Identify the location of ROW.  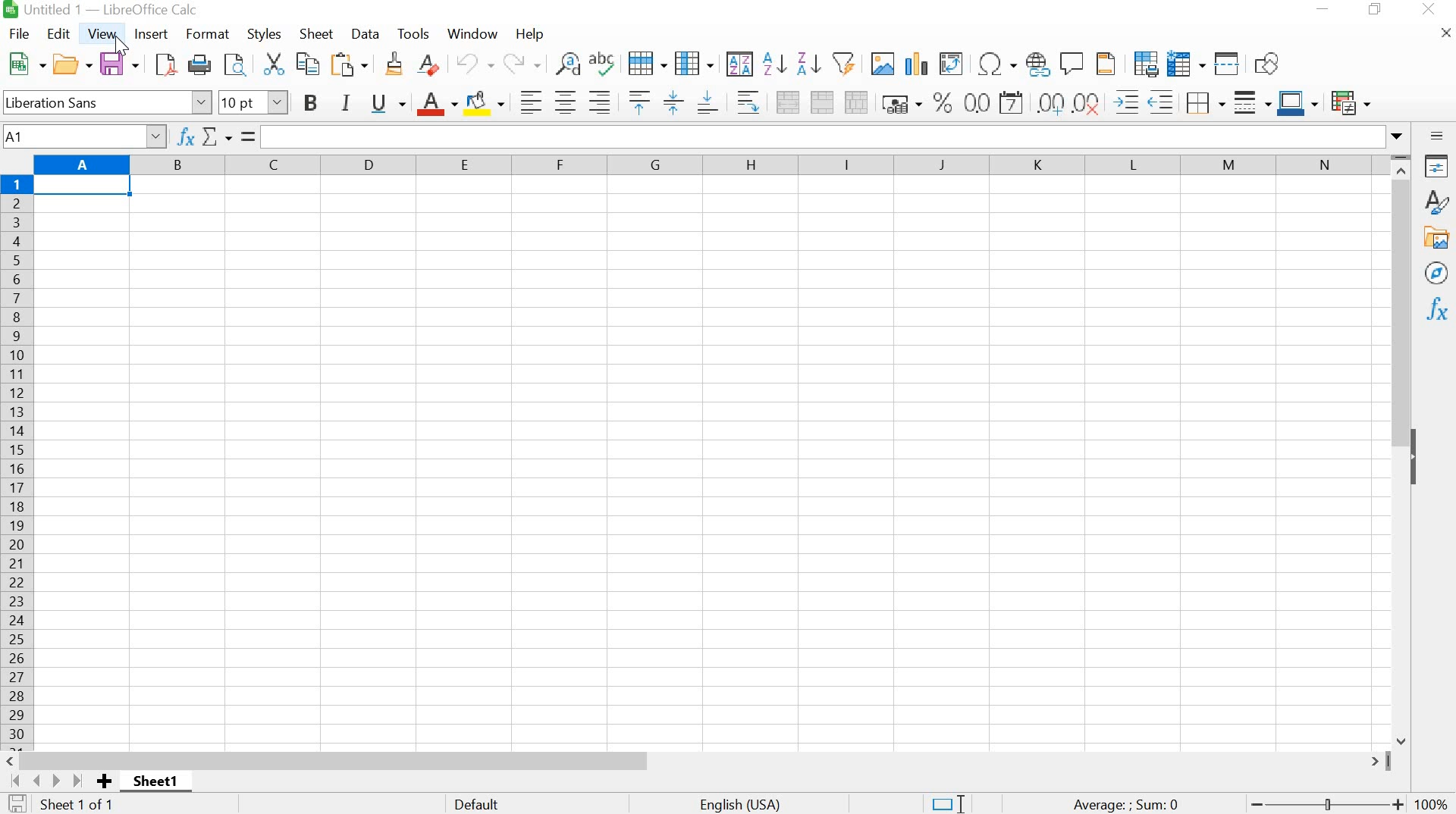
(650, 62).